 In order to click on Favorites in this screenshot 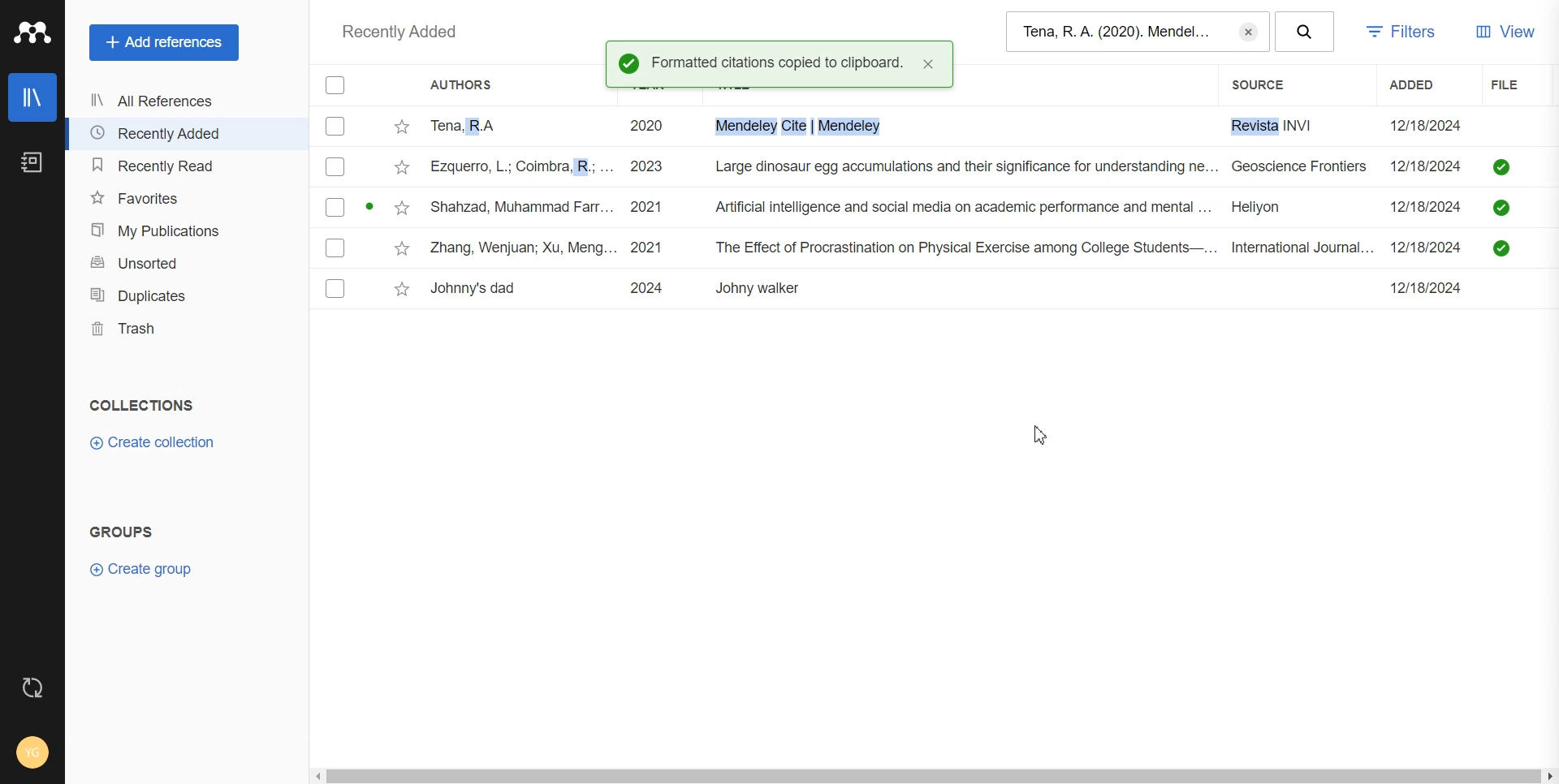, I will do `click(186, 197)`.